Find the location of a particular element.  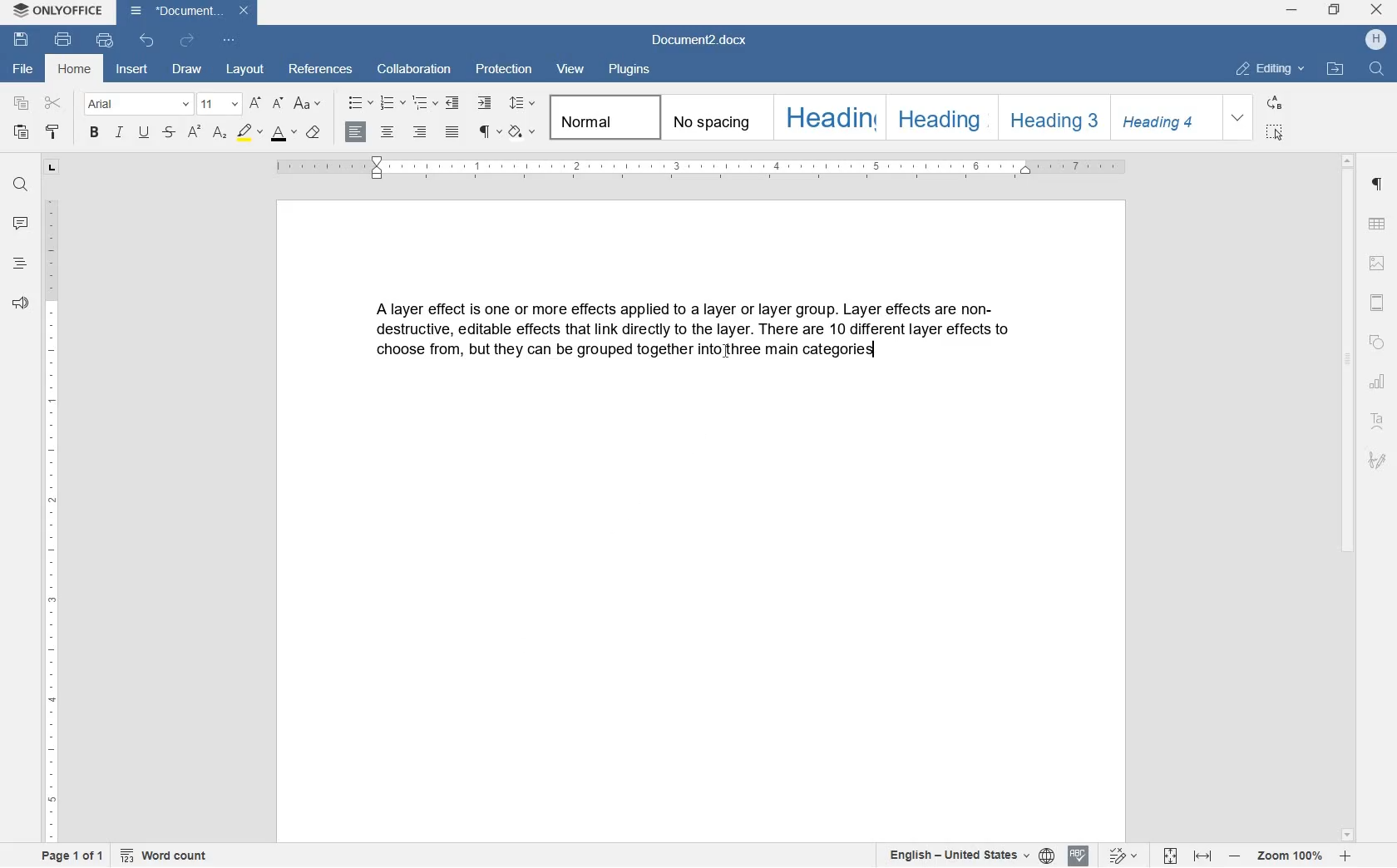

font size is located at coordinates (218, 103).